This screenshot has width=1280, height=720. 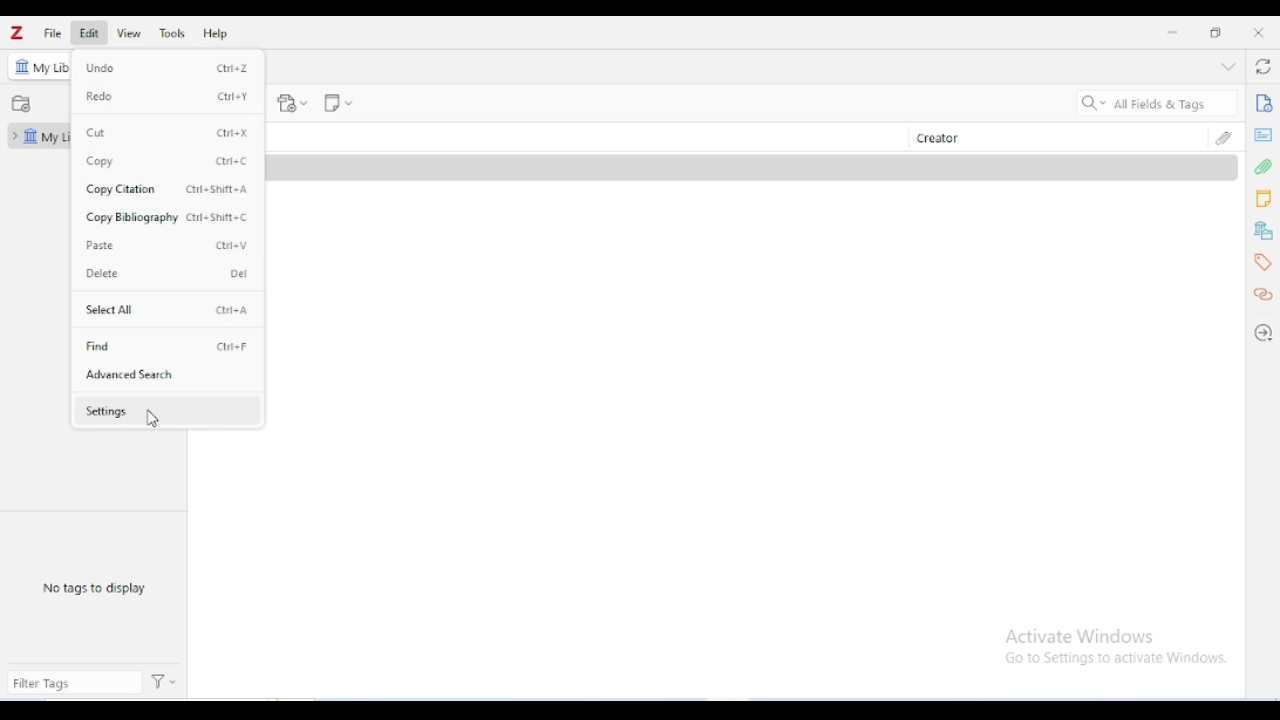 I want to click on delete, so click(x=103, y=274).